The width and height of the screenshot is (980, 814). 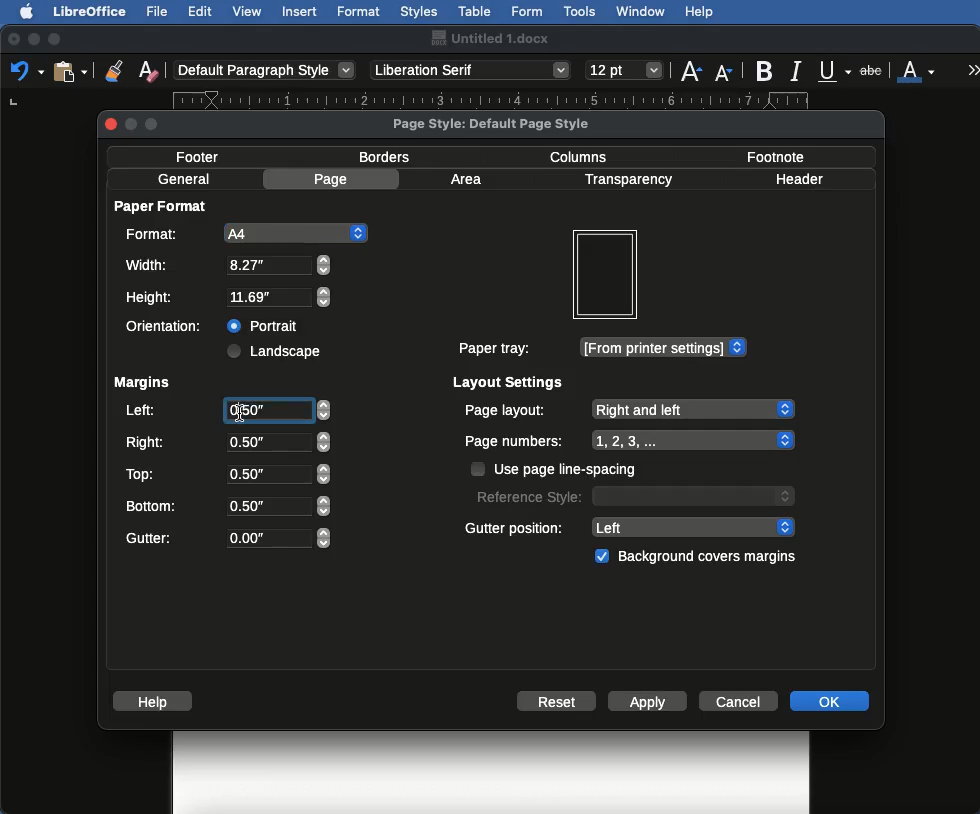 I want to click on Right, so click(x=227, y=442).